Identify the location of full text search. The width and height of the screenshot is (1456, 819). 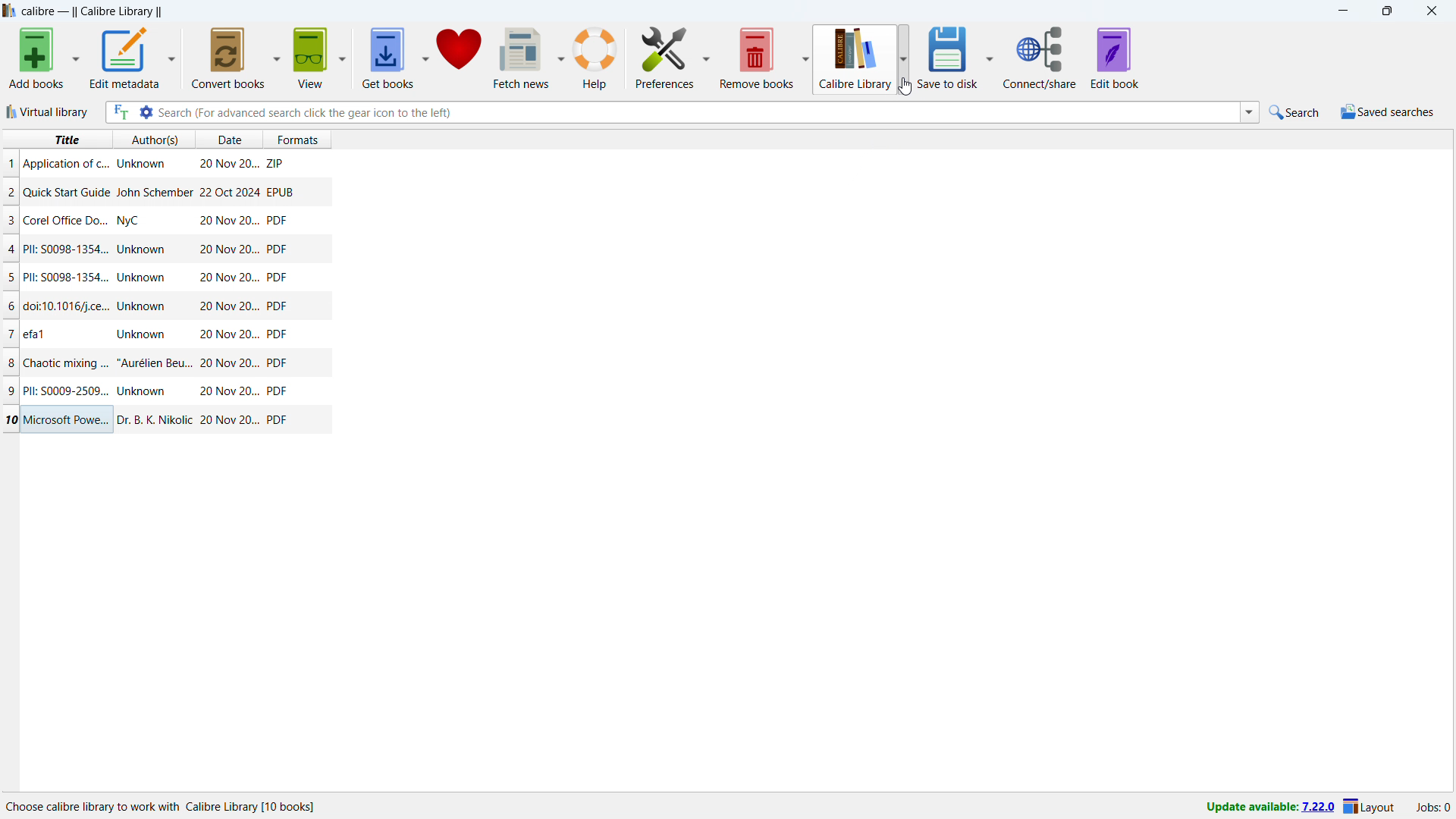
(119, 112).